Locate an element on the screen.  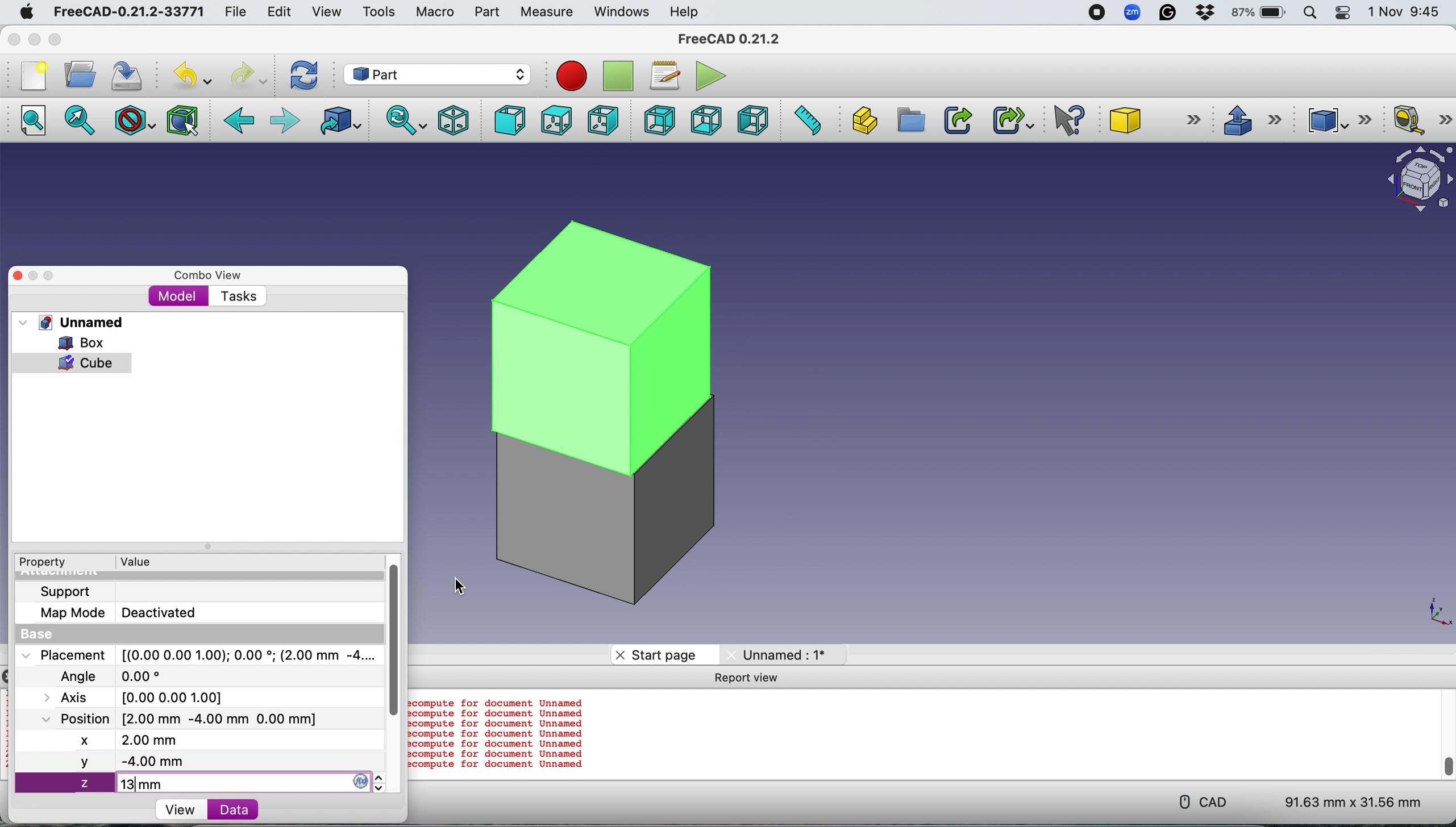
x 2.00 mm is located at coordinates (192, 738).